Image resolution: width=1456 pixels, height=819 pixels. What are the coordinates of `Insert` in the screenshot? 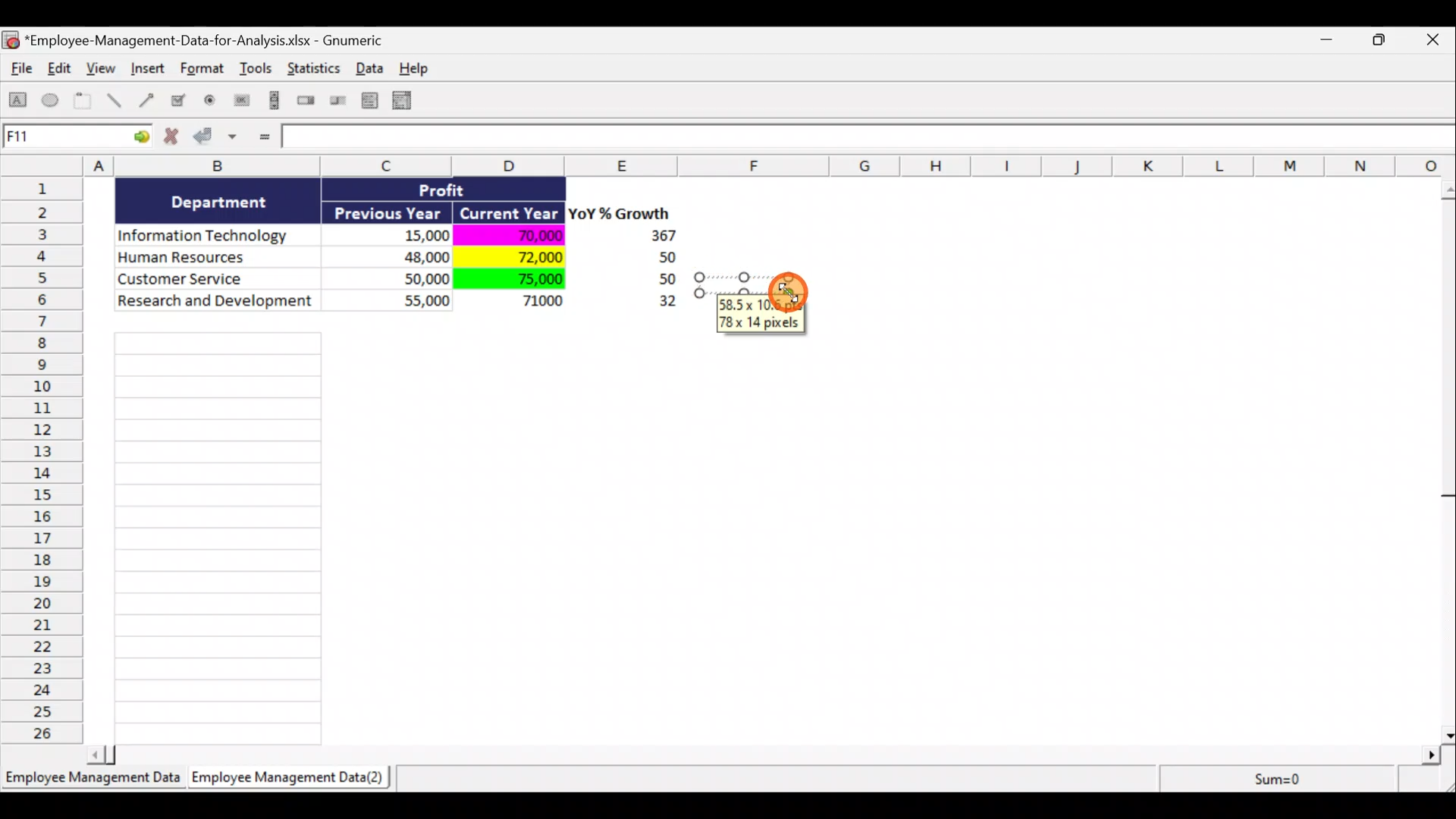 It's located at (147, 71).